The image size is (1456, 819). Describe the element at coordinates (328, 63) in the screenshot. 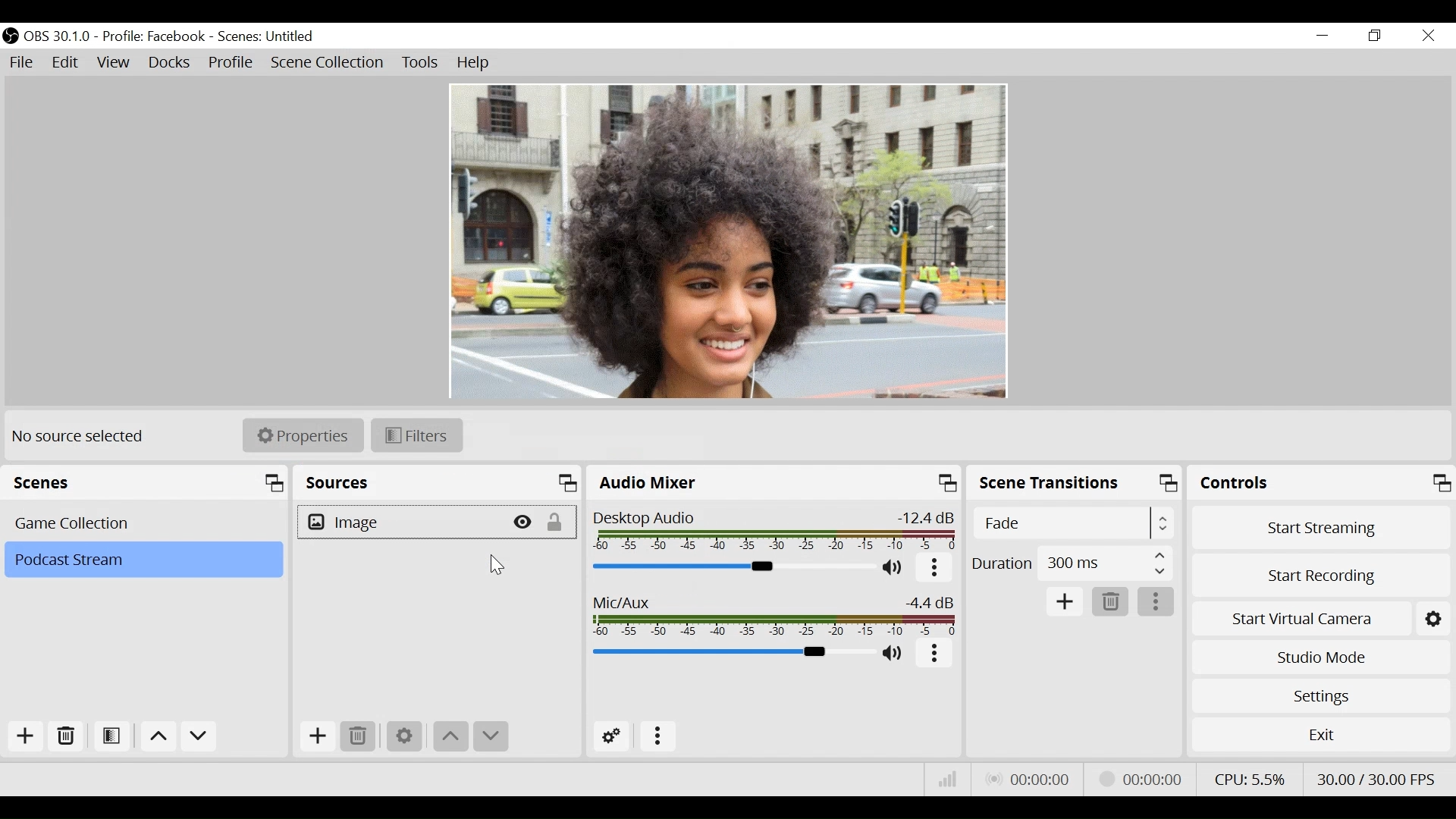

I see `Scene Collection` at that location.